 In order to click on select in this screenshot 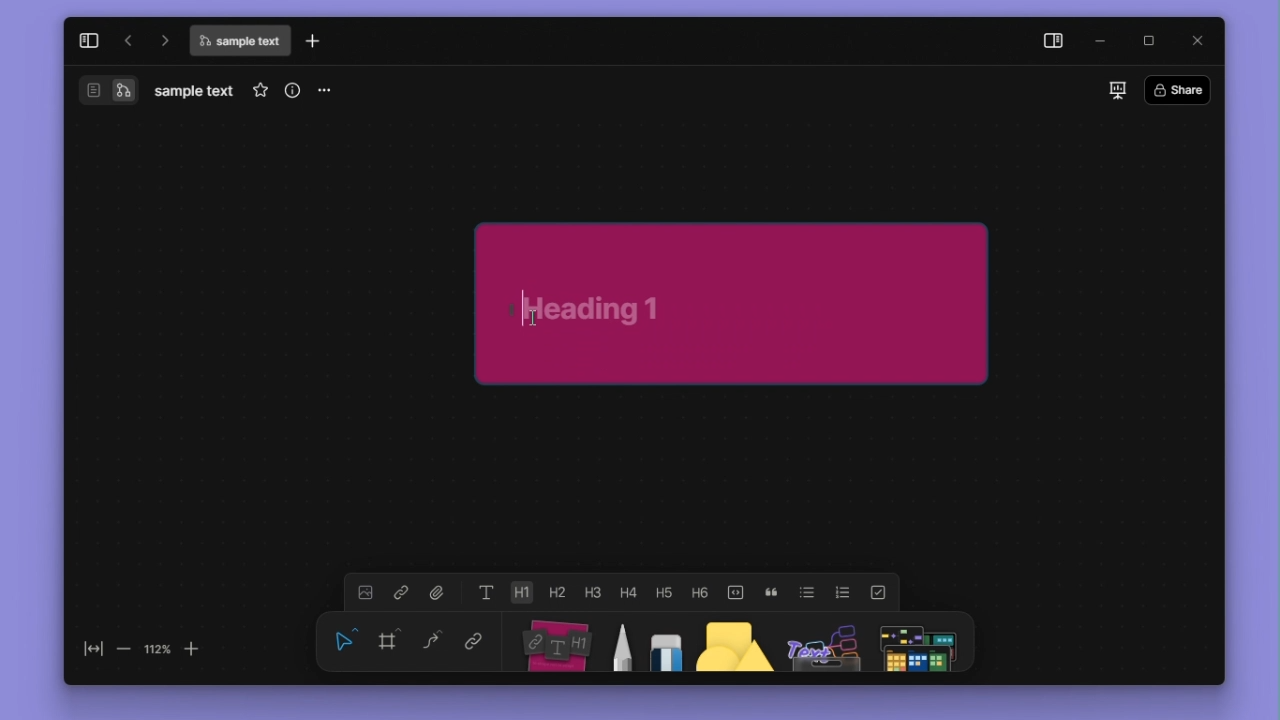, I will do `click(345, 640)`.